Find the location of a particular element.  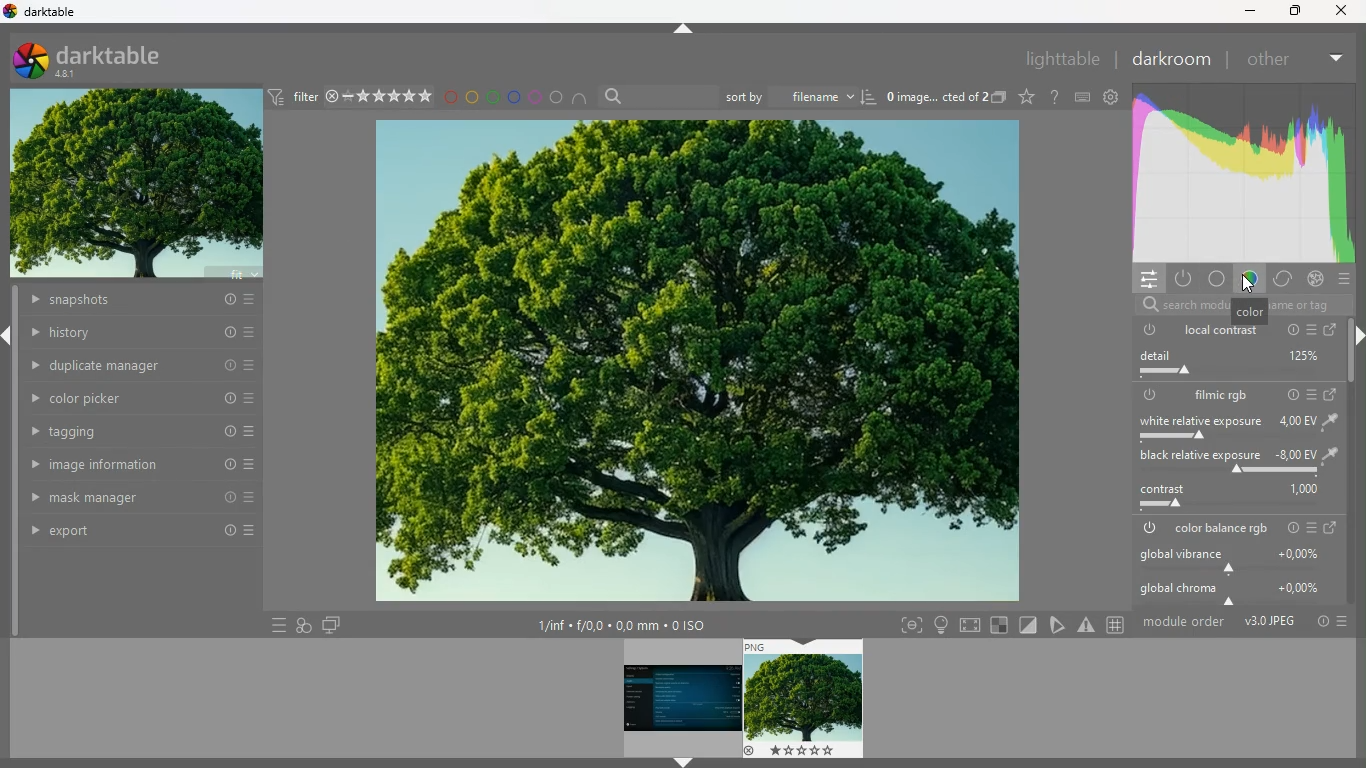

screen is located at coordinates (1334, 331).